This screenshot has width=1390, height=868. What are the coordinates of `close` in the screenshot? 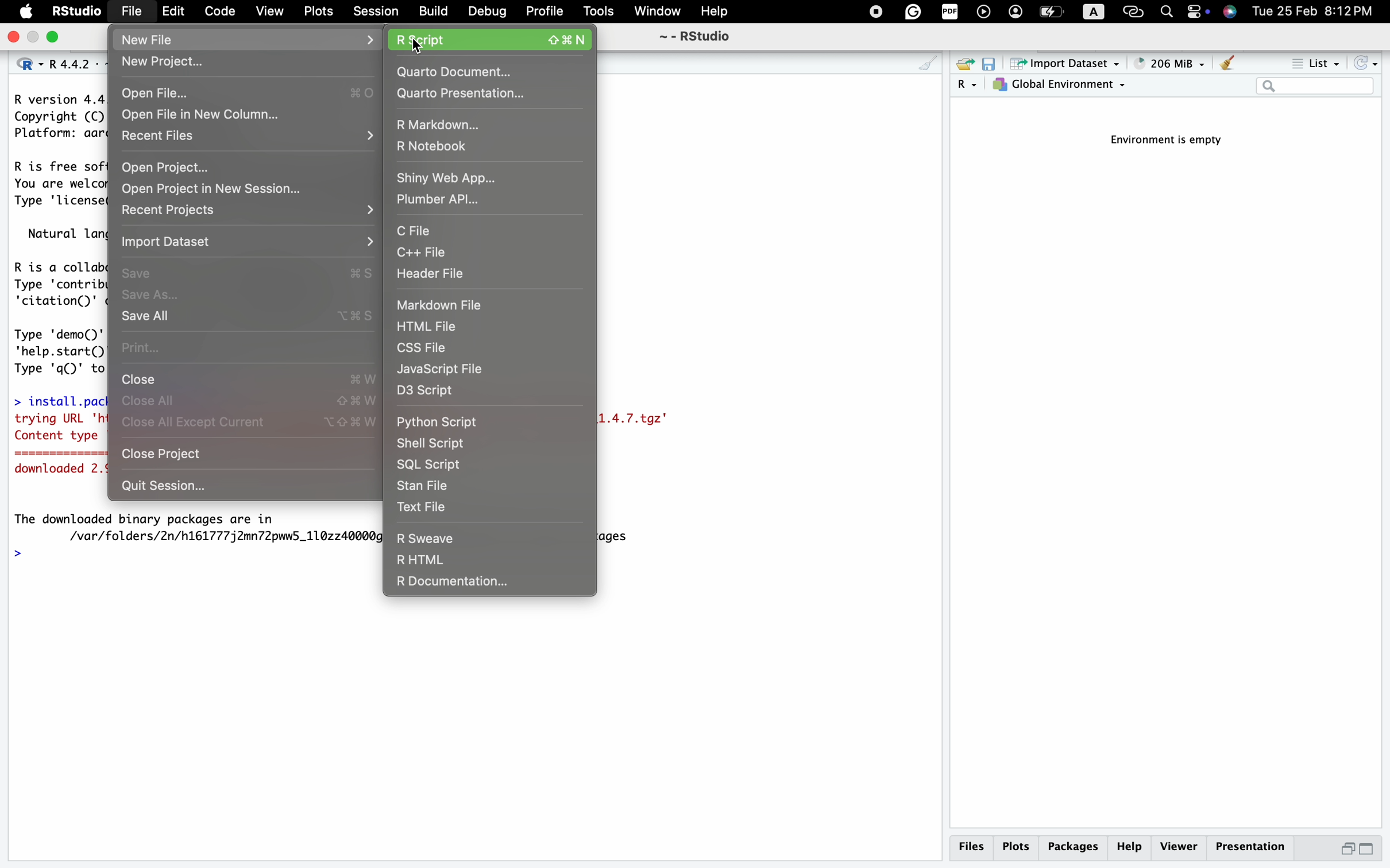 It's located at (14, 37).